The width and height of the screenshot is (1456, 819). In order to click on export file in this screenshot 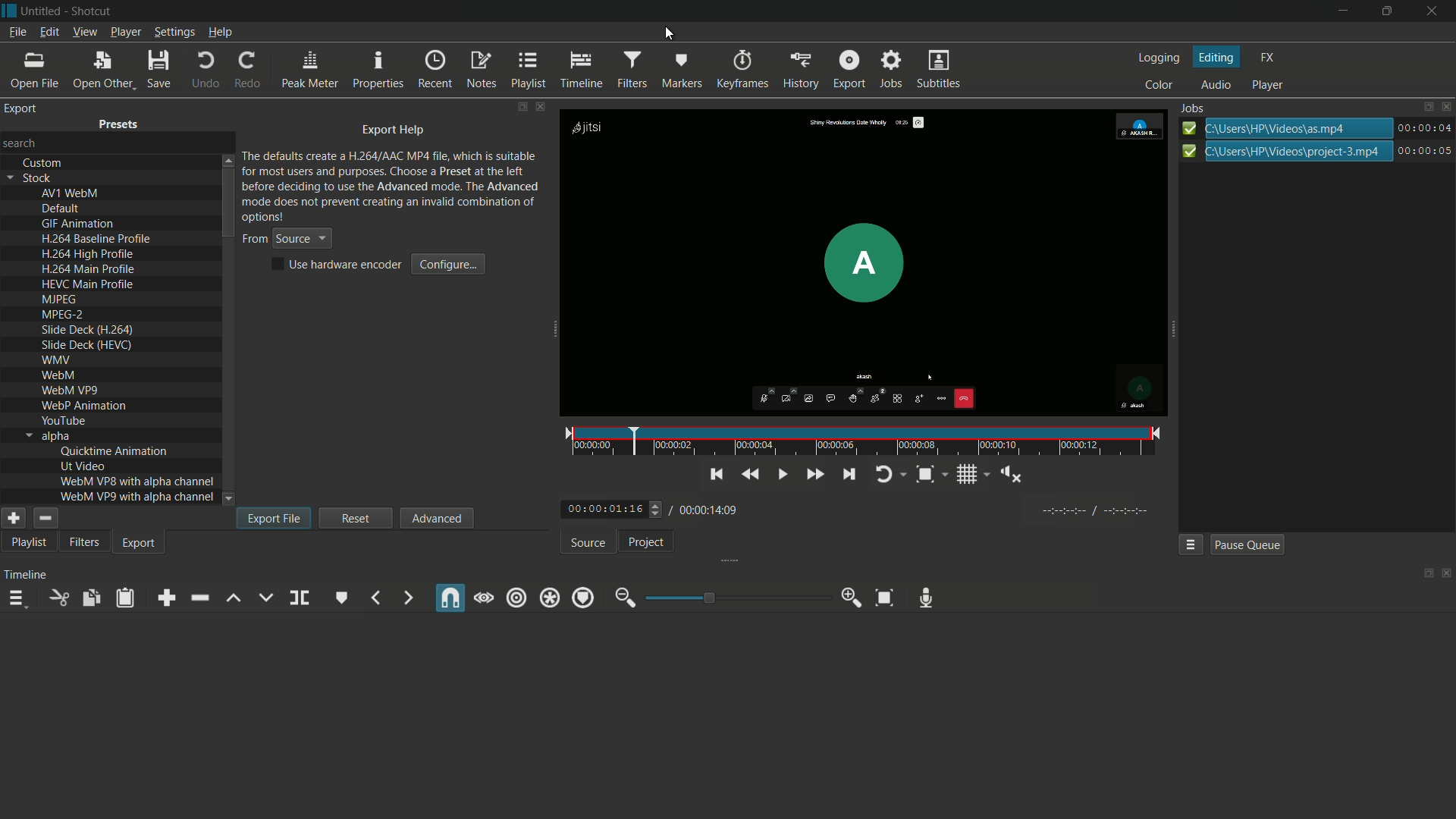, I will do `click(274, 517)`.